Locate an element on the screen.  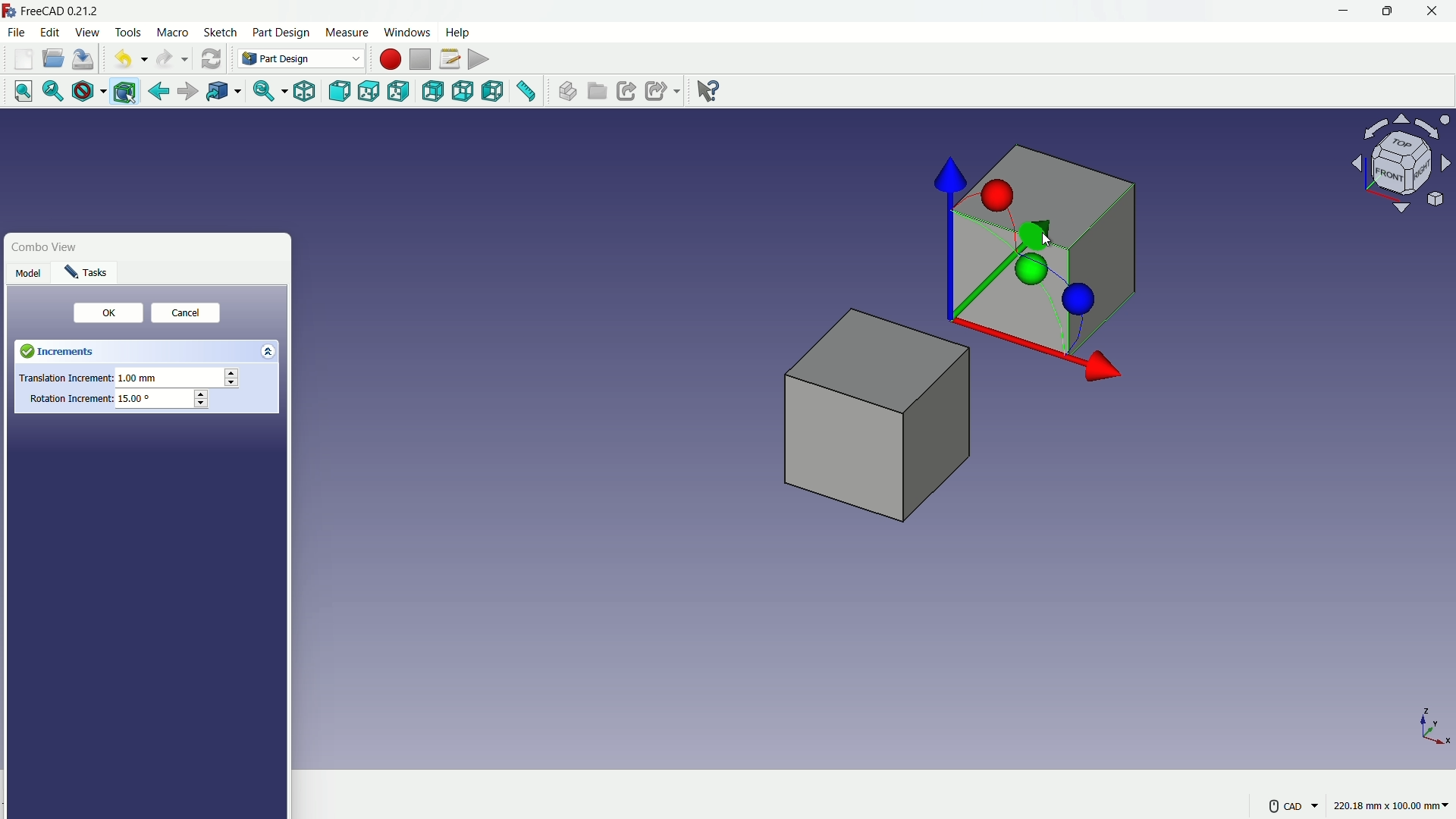
expand is located at coordinates (271, 350).